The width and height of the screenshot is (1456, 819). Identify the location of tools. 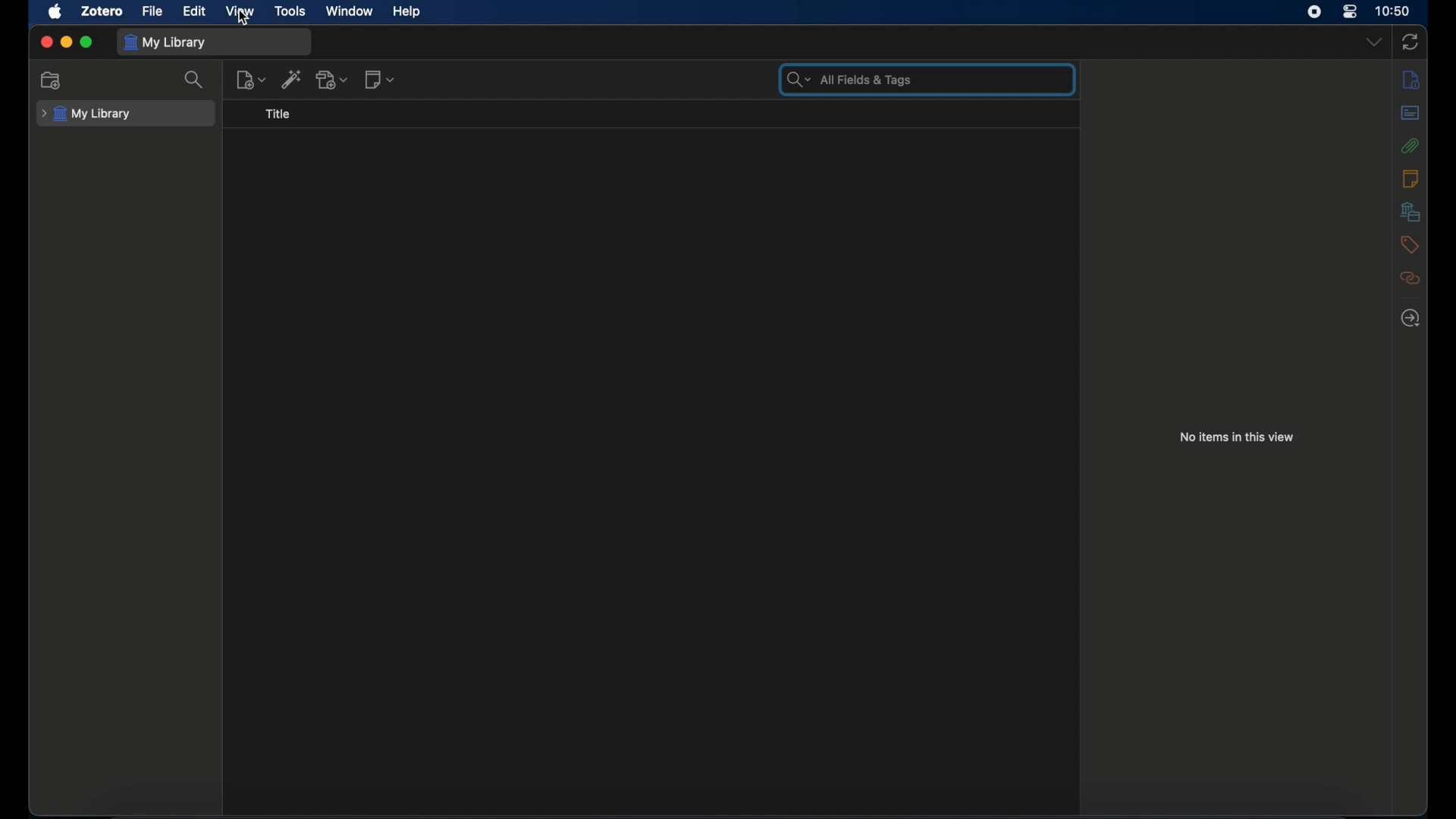
(290, 12).